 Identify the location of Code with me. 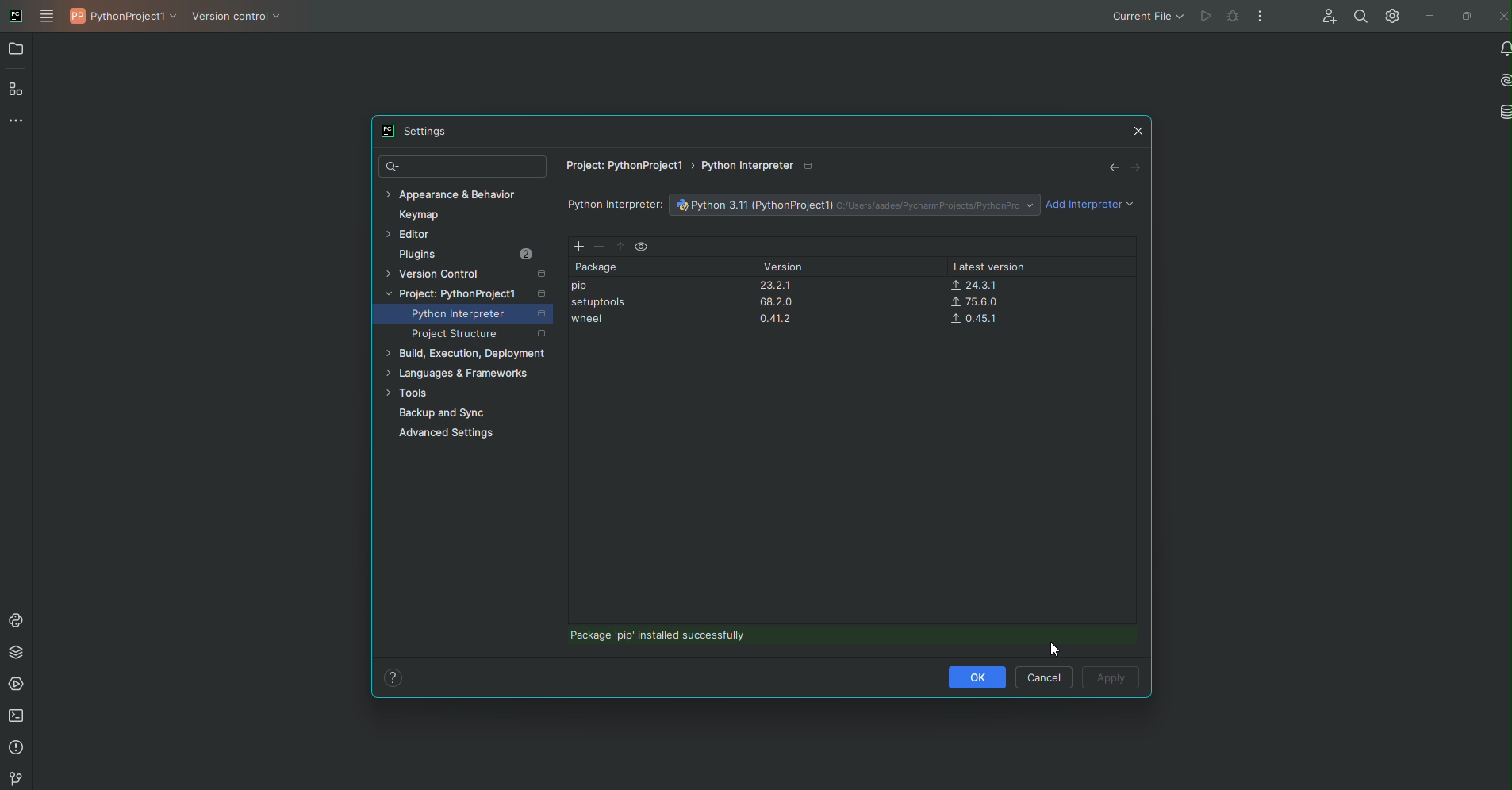
(1328, 15).